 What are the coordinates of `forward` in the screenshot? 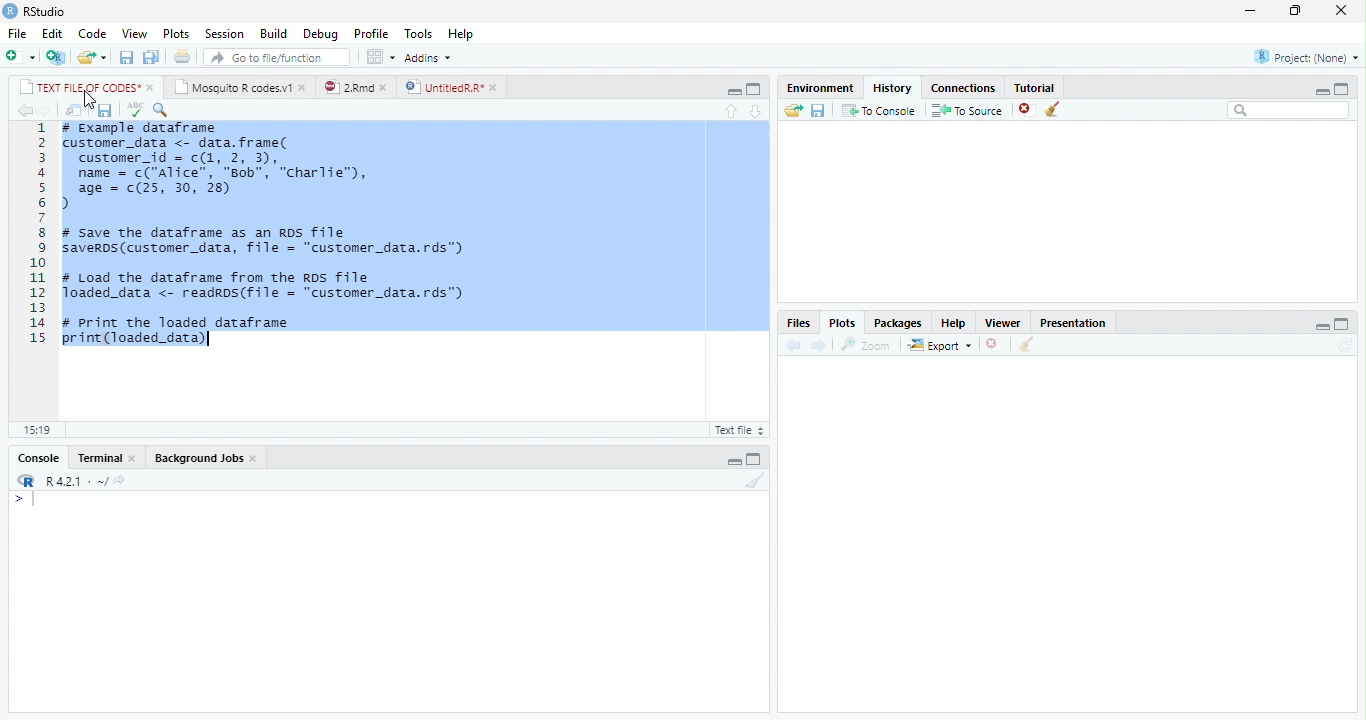 It's located at (817, 345).